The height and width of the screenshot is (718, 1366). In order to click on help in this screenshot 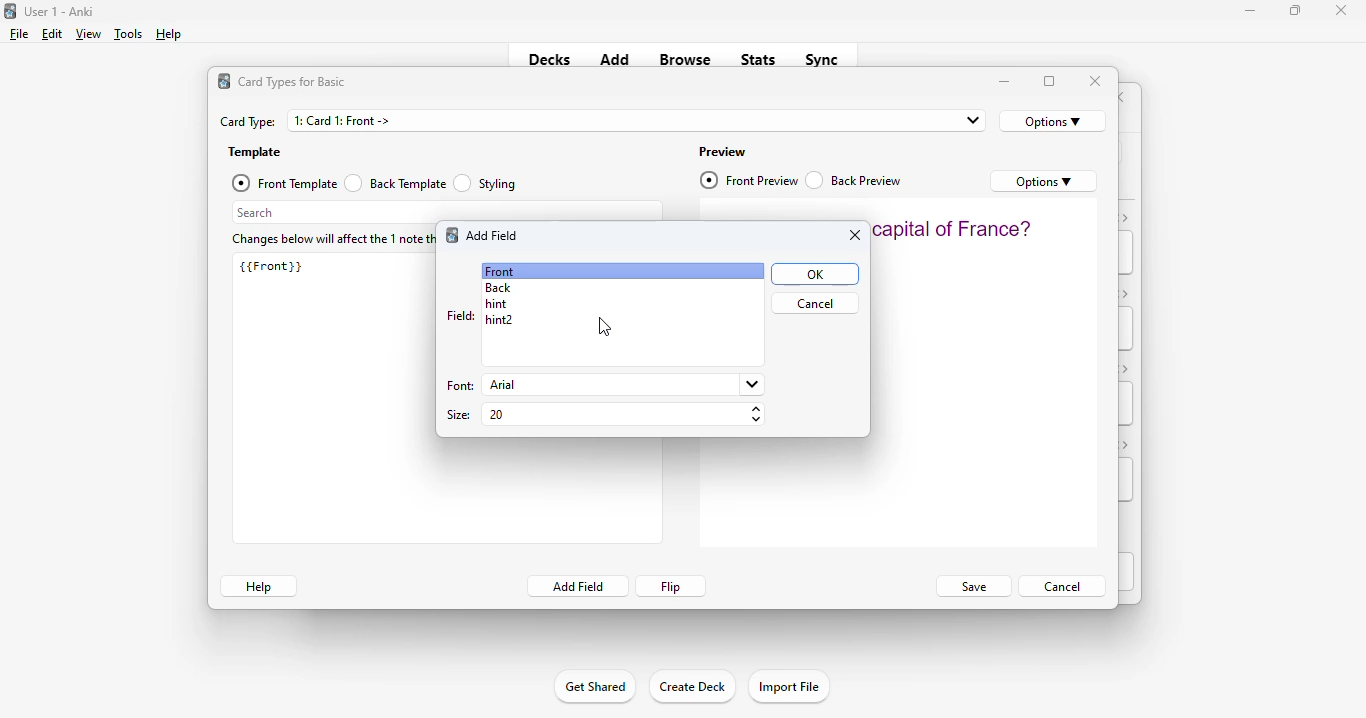, I will do `click(258, 586)`.